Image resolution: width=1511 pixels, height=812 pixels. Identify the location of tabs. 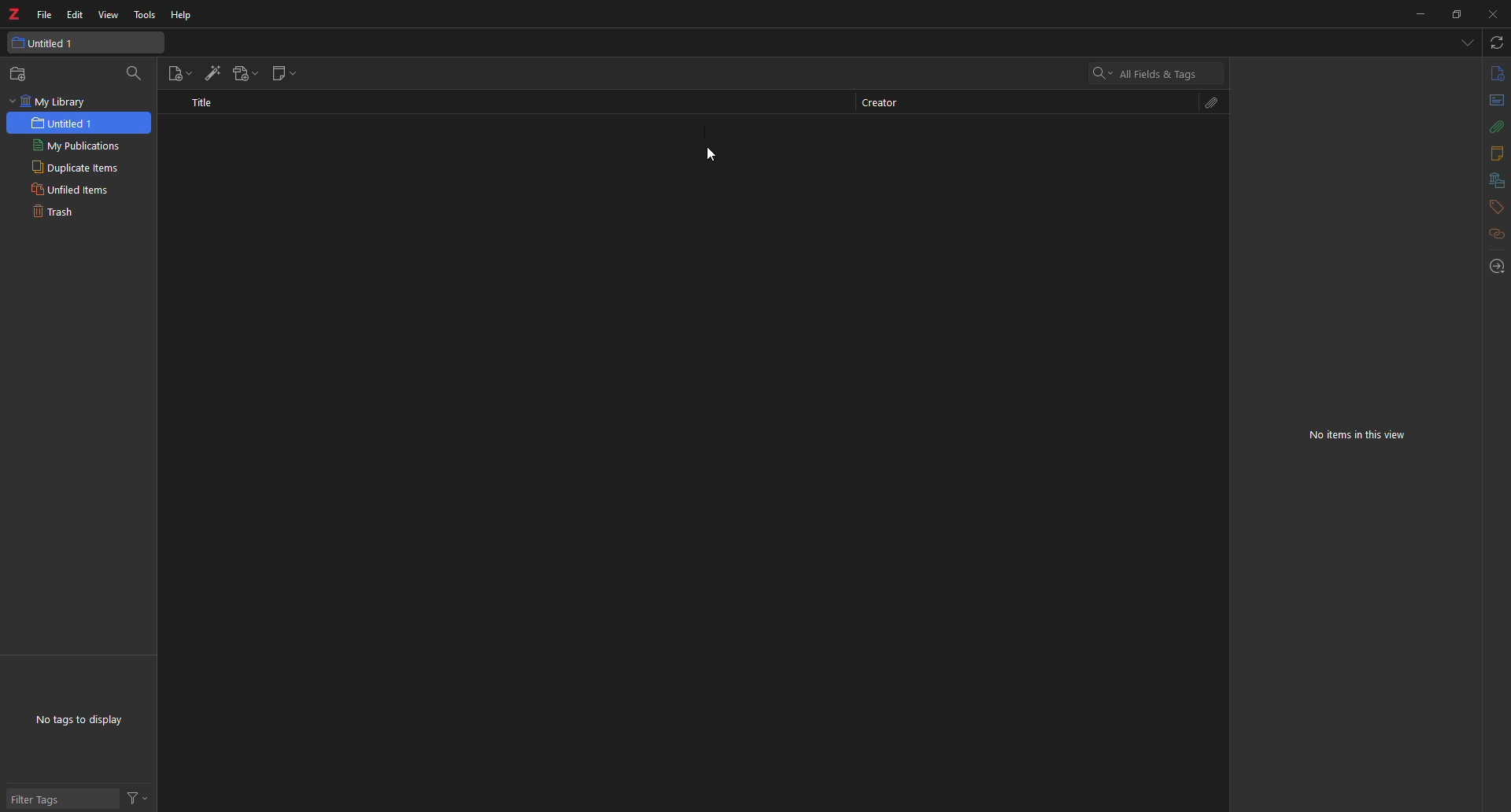
(1465, 43).